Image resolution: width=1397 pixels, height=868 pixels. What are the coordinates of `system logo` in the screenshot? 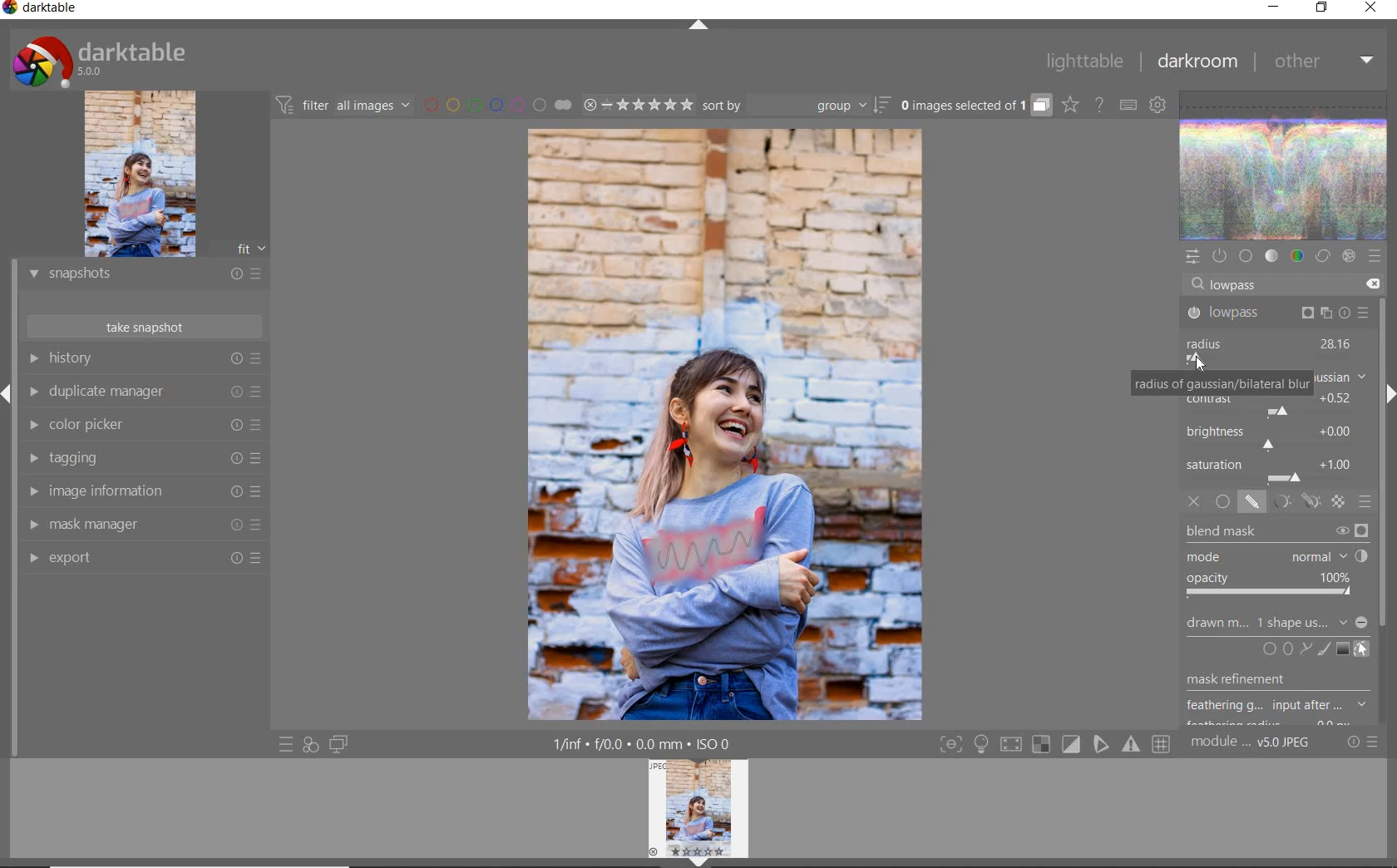 It's located at (99, 60).